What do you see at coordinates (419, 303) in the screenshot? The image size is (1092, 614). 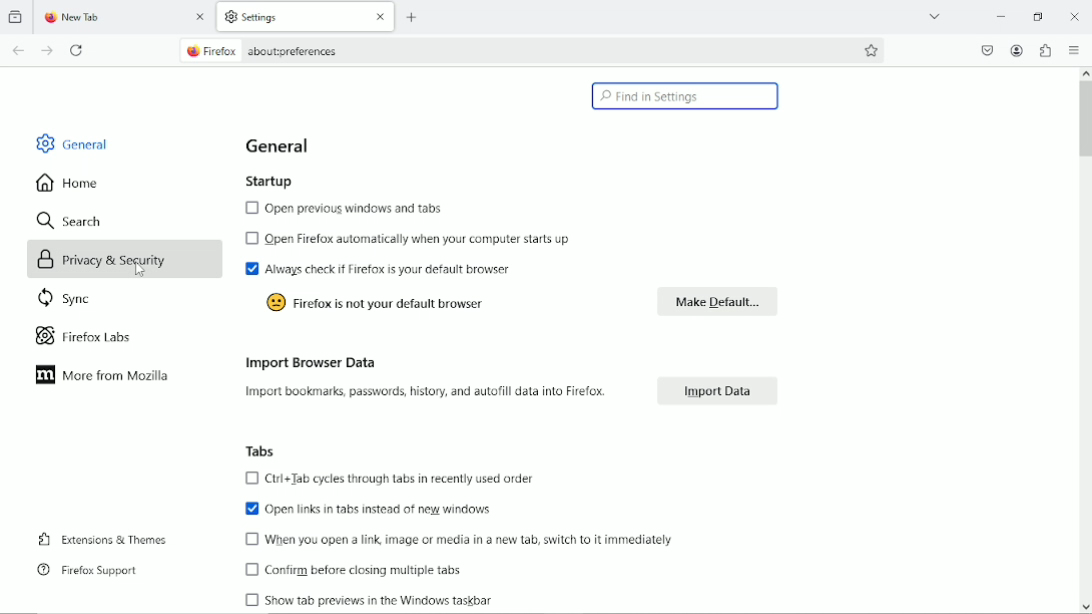 I see `firefox is not your default browser` at bounding box center [419, 303].